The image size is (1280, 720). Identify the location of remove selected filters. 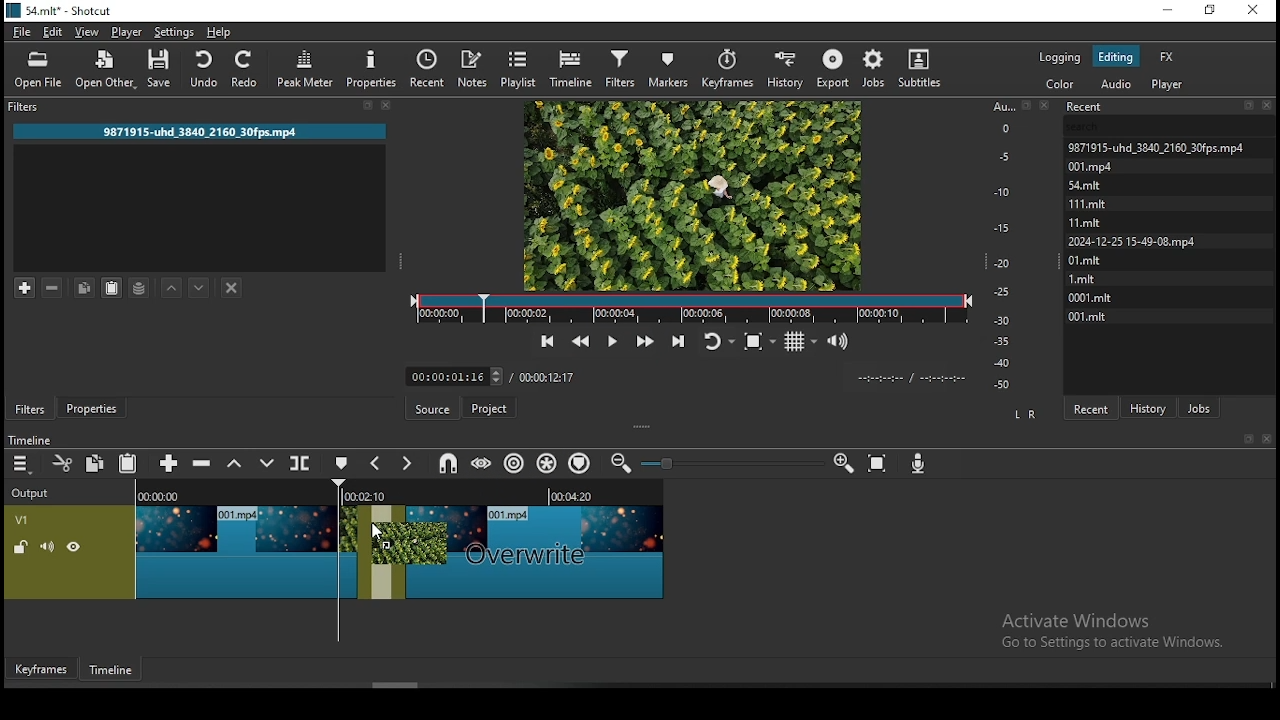
(51, 288).